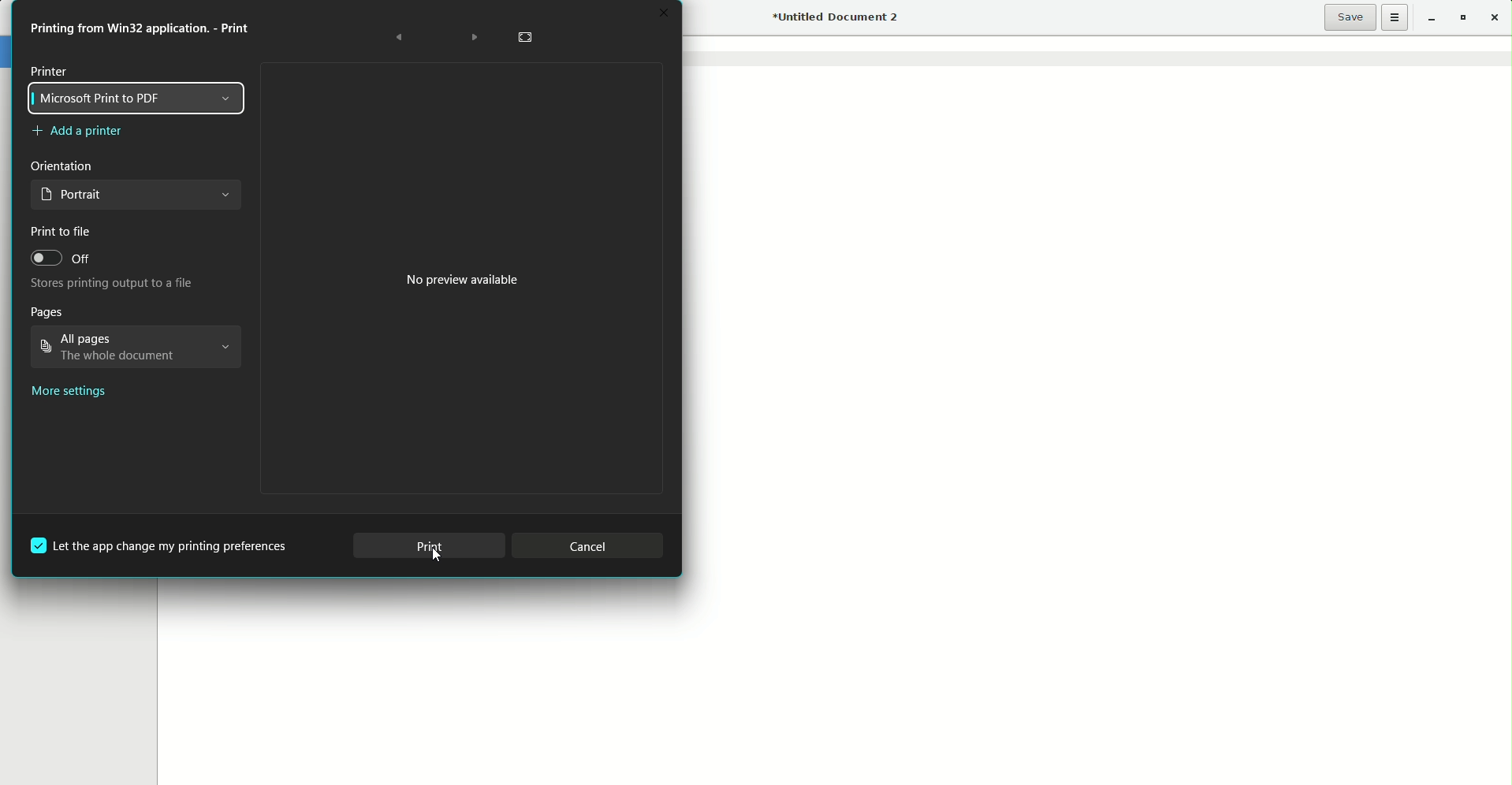 Image resolution: width=1512 pixels, height=785 pixels. Describe the element at coordinates (429, 546) in the screenshot. I see `Print` at that location.